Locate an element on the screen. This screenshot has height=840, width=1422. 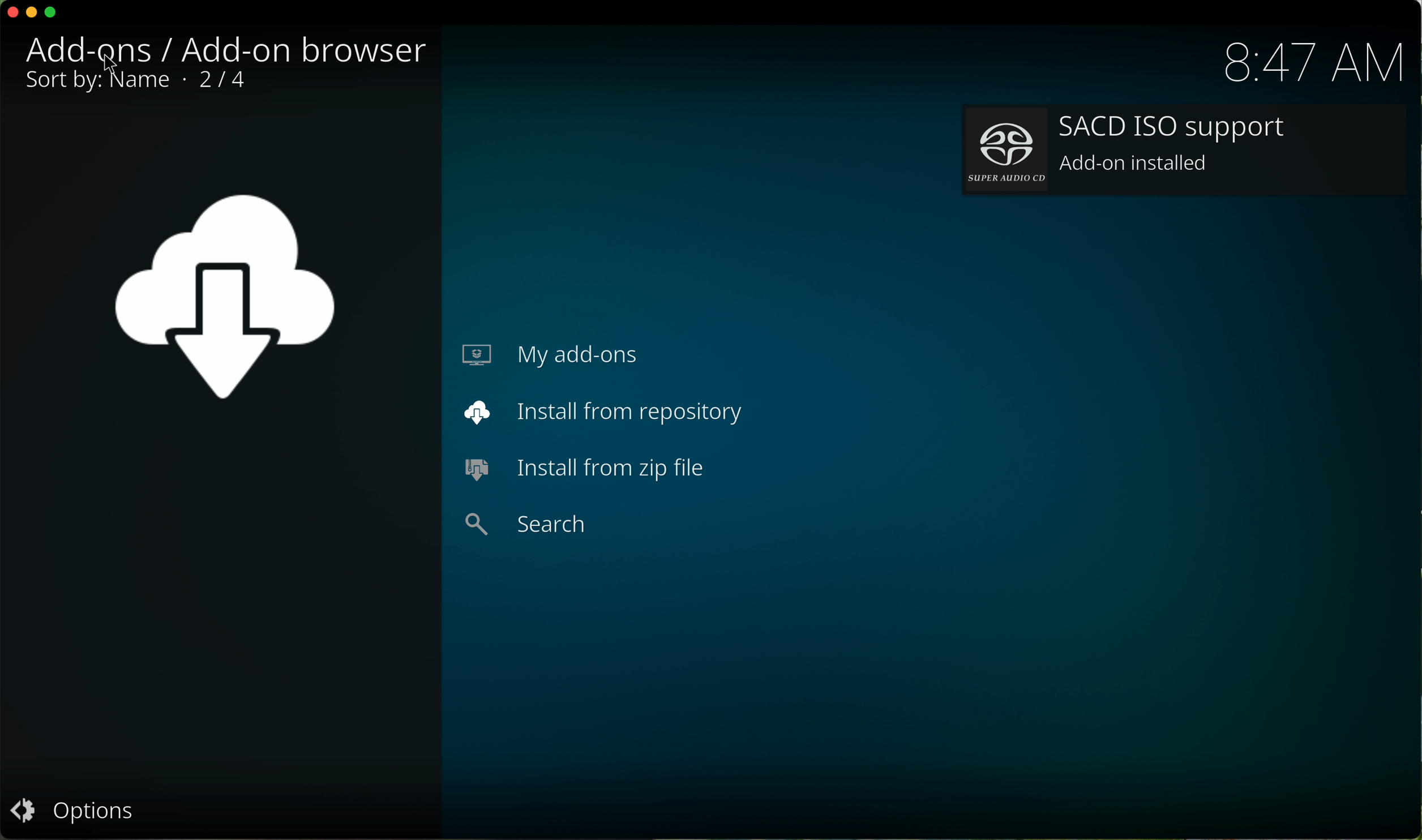
image is located at coordinates (224, 283).